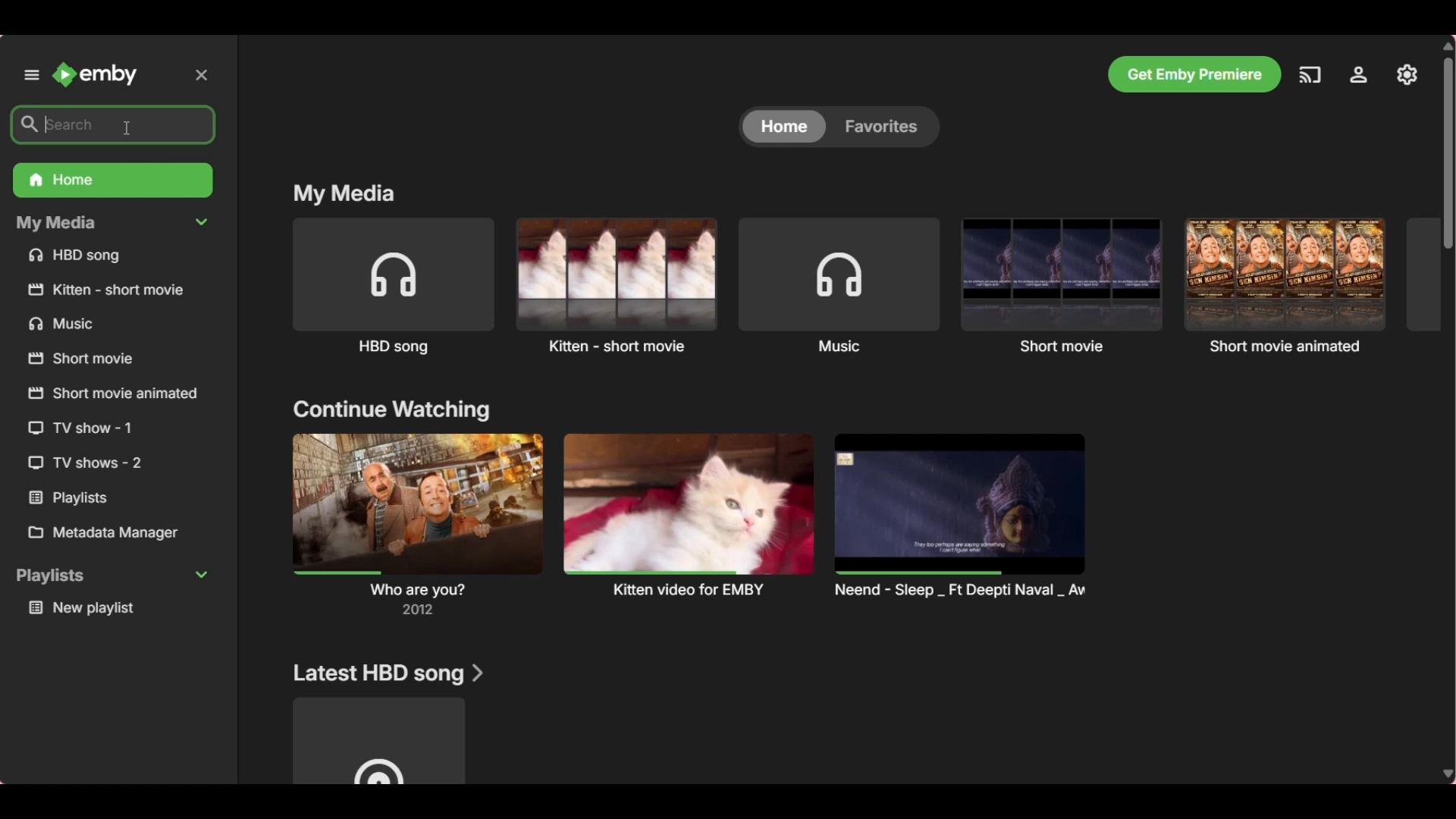 The width and height of the screenshot is (1456, 819). I want to click on Manage Emby server, so click(1407, 74).